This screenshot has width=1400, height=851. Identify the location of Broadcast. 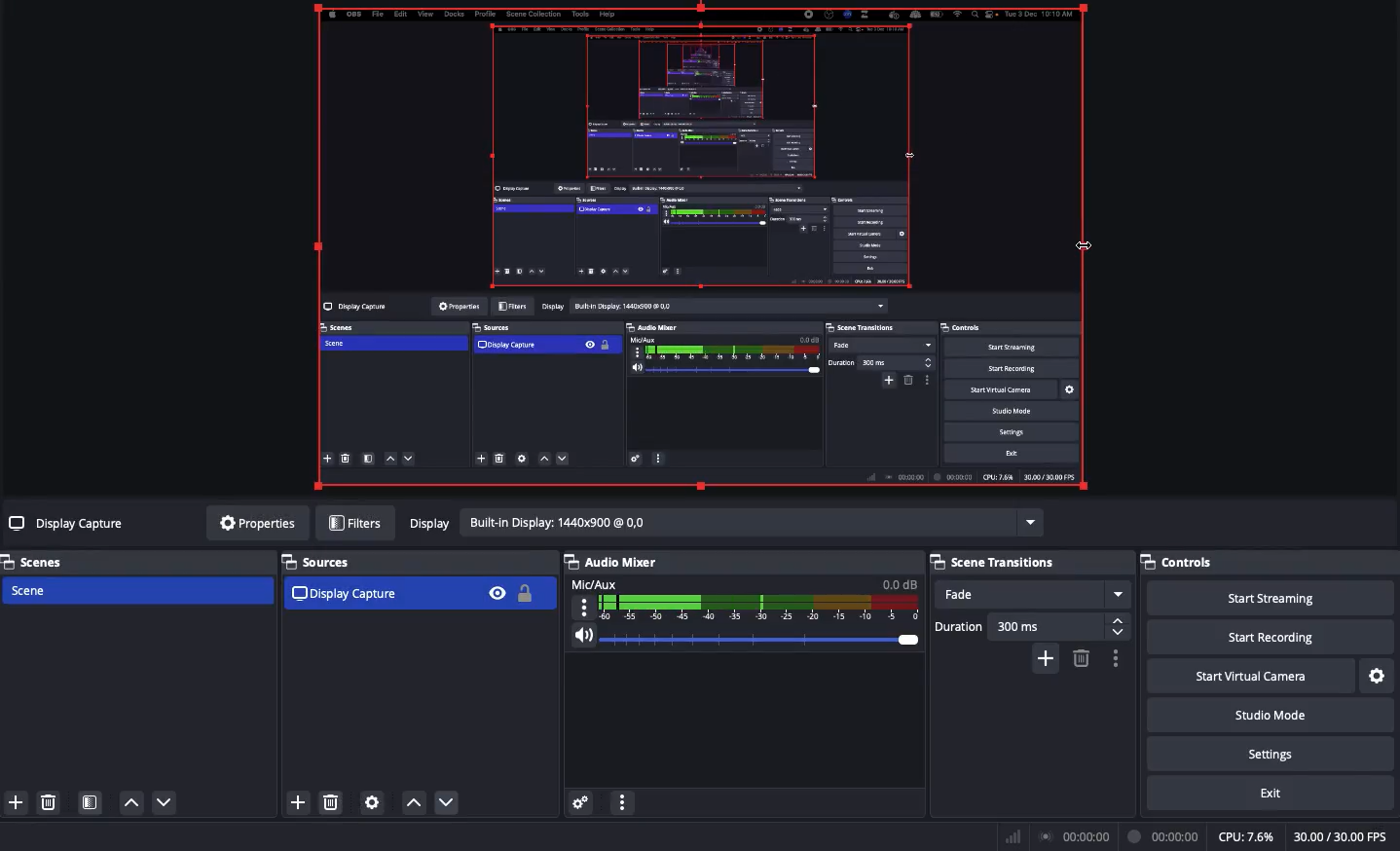
(1078, 837).